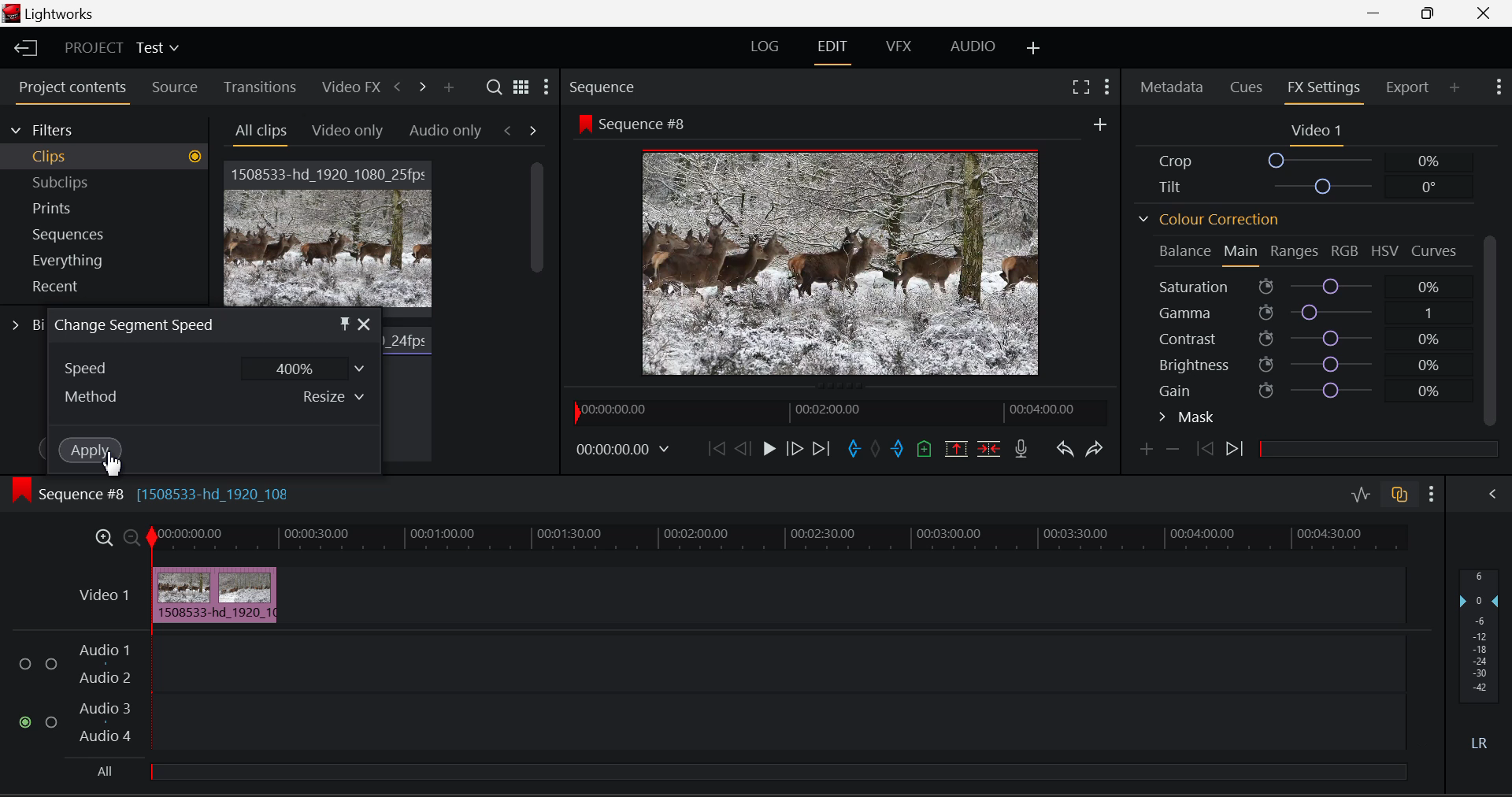 The image size is (1512, 797). I want to click on Main Tab Open, so click(1242, 254).